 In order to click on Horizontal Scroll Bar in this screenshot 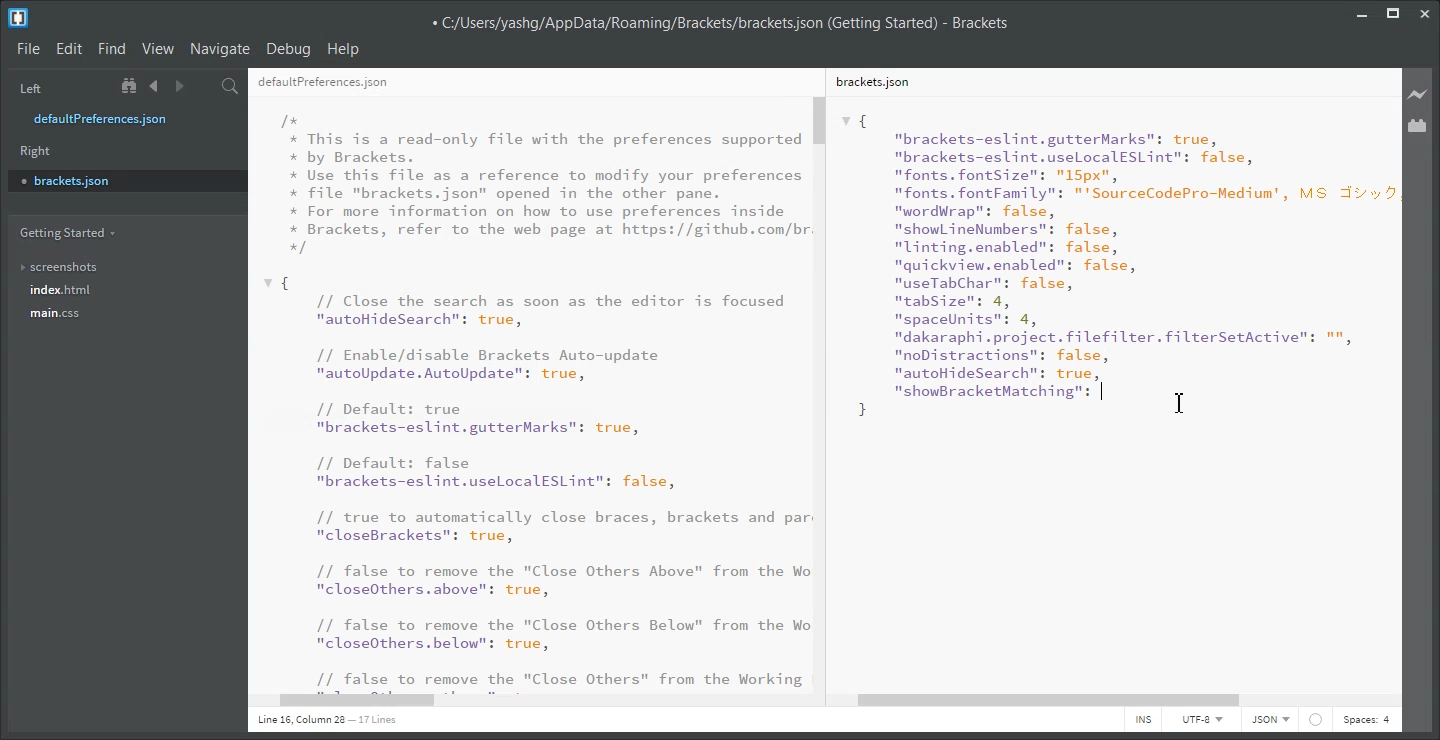, I will do `click(539, 702)`.